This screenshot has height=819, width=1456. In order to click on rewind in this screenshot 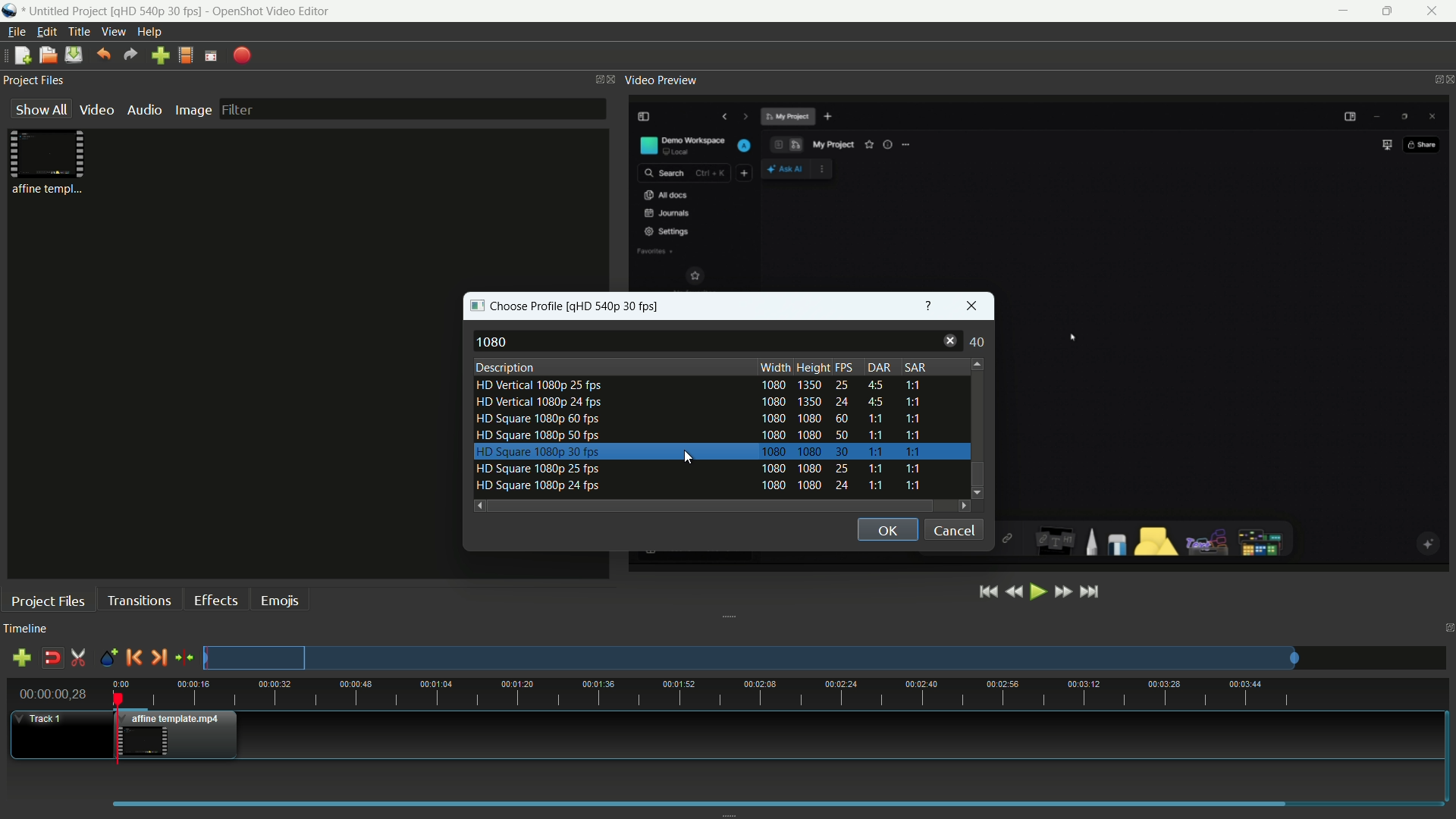, I will do `click(1014, 593)`.